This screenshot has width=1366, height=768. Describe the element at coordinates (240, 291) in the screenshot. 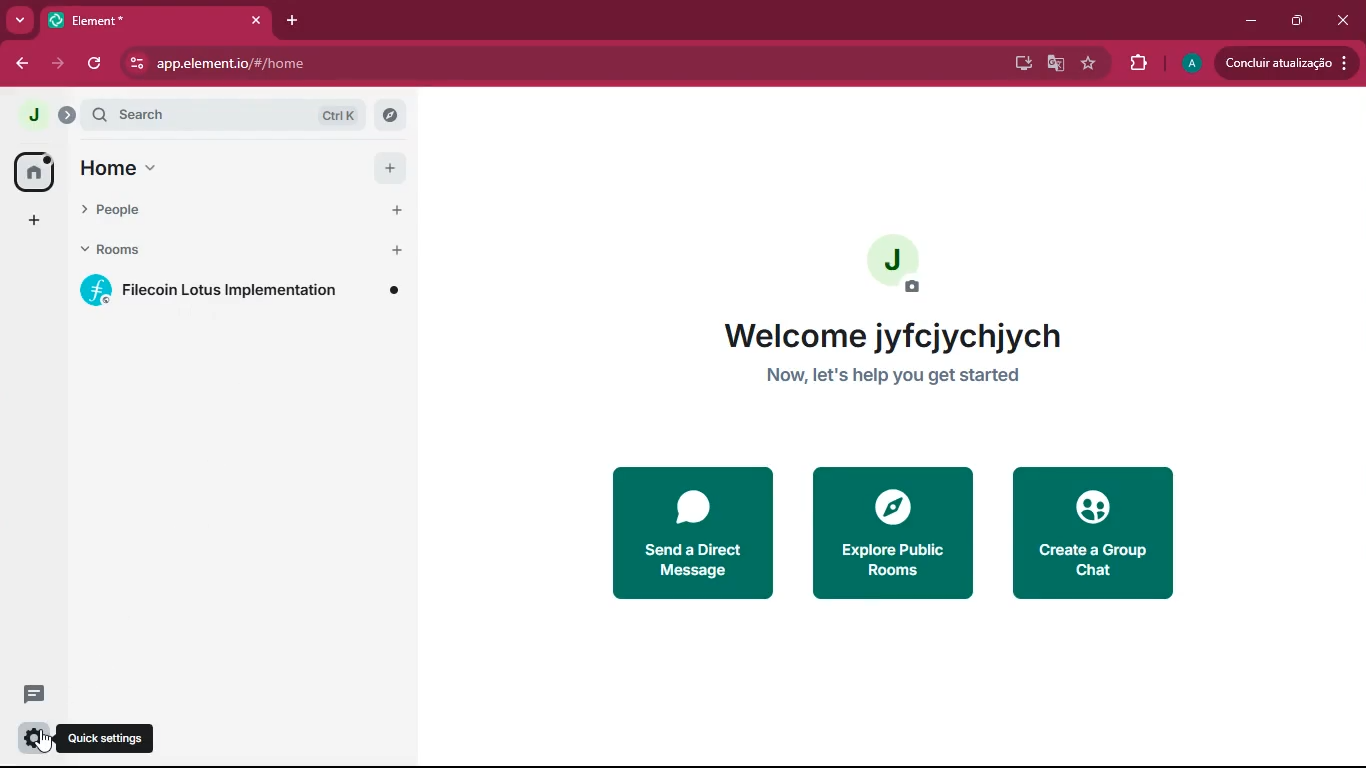

I see `room` at that location.